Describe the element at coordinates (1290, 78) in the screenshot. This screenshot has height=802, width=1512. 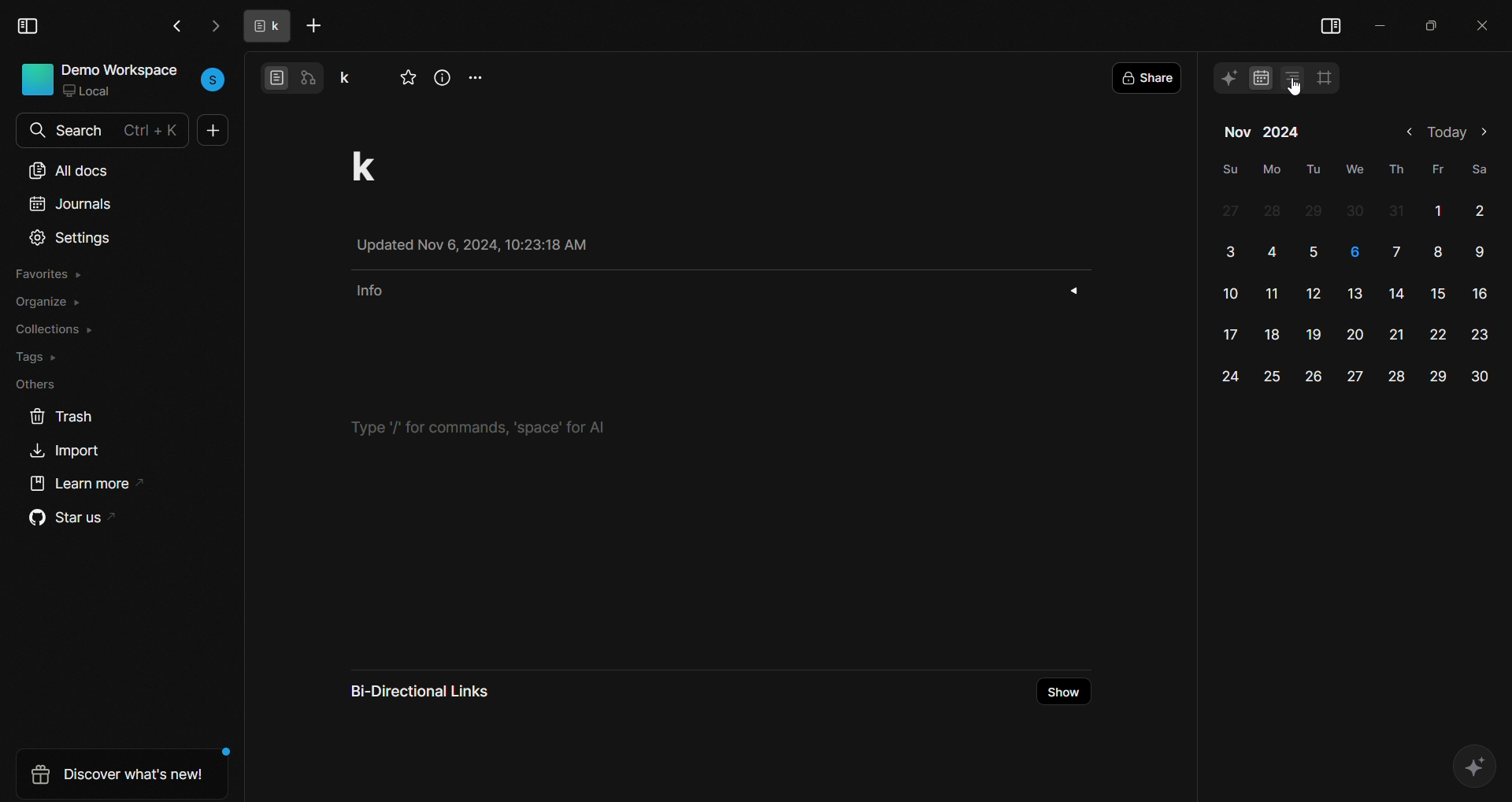
I see `table of contents` at that location.